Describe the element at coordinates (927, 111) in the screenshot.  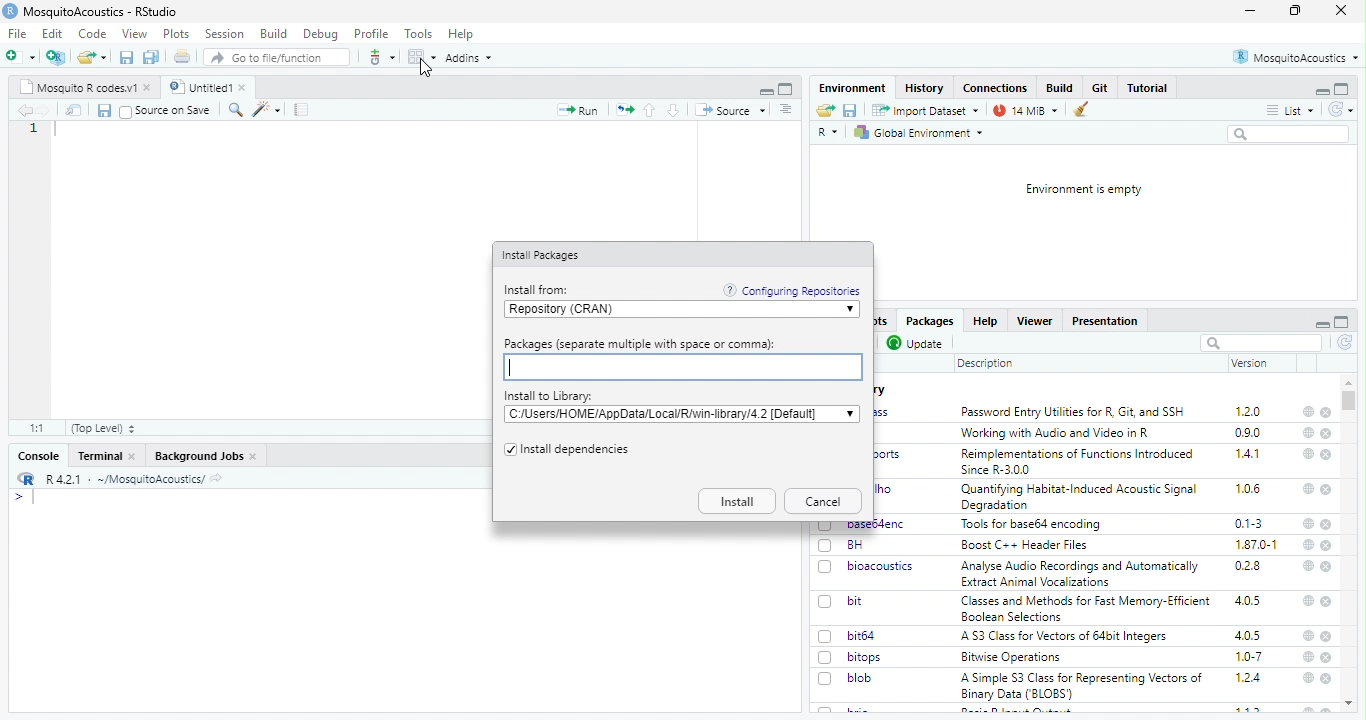
I see `Import Dataset` at that location.